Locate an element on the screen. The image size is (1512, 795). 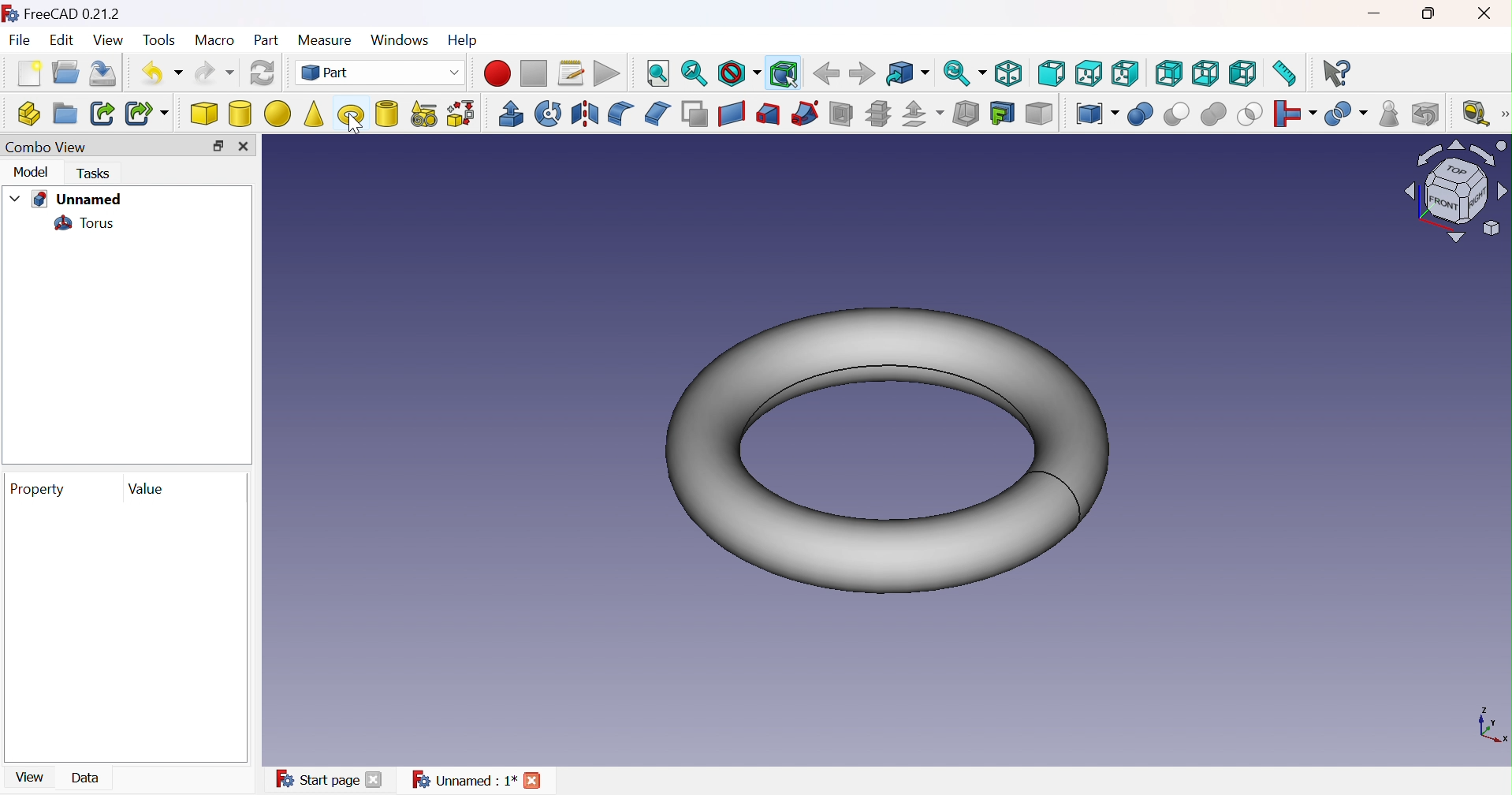
Cone is located at coordinates (314, 113).